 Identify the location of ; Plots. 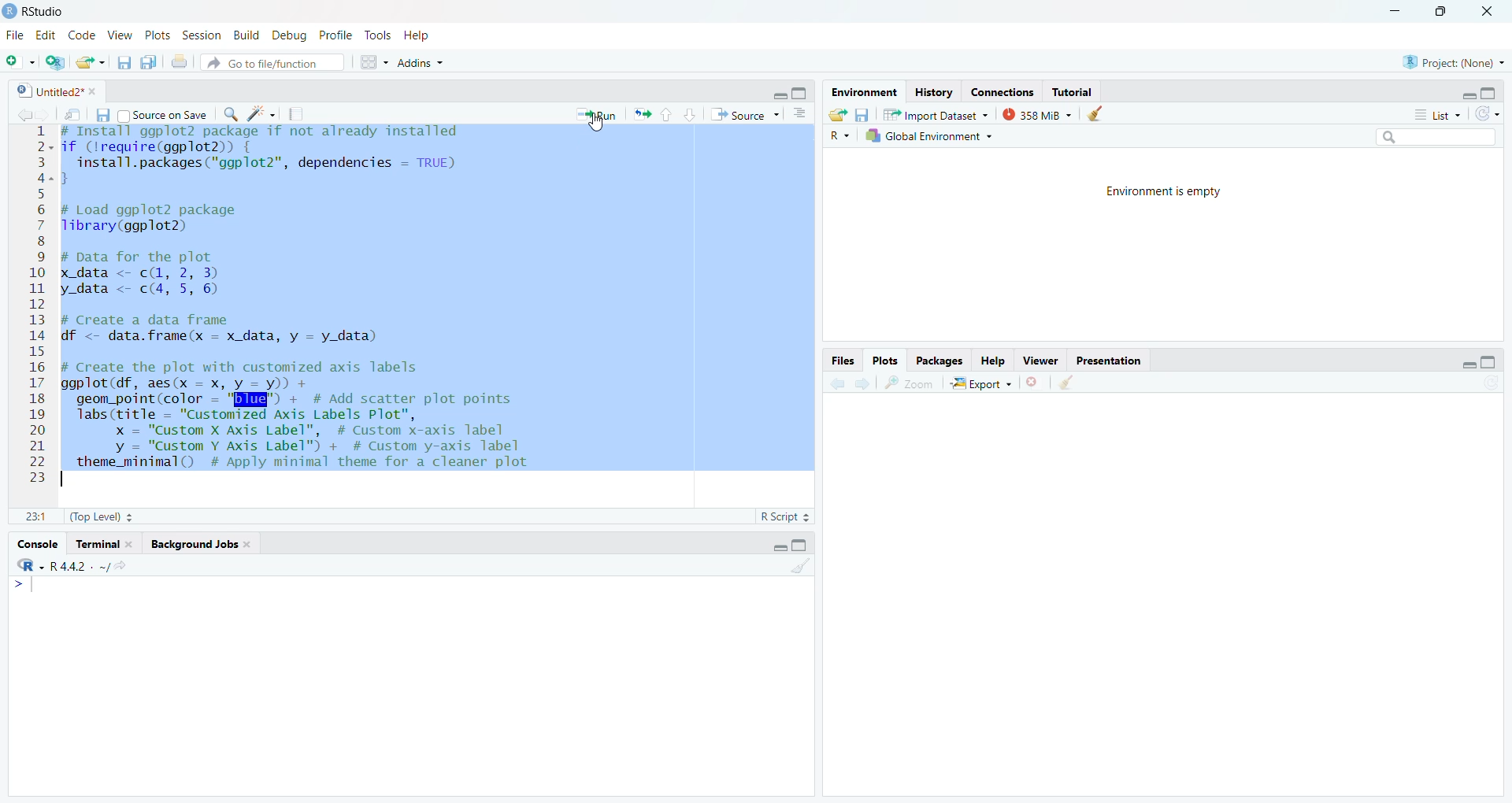
(886, 361).